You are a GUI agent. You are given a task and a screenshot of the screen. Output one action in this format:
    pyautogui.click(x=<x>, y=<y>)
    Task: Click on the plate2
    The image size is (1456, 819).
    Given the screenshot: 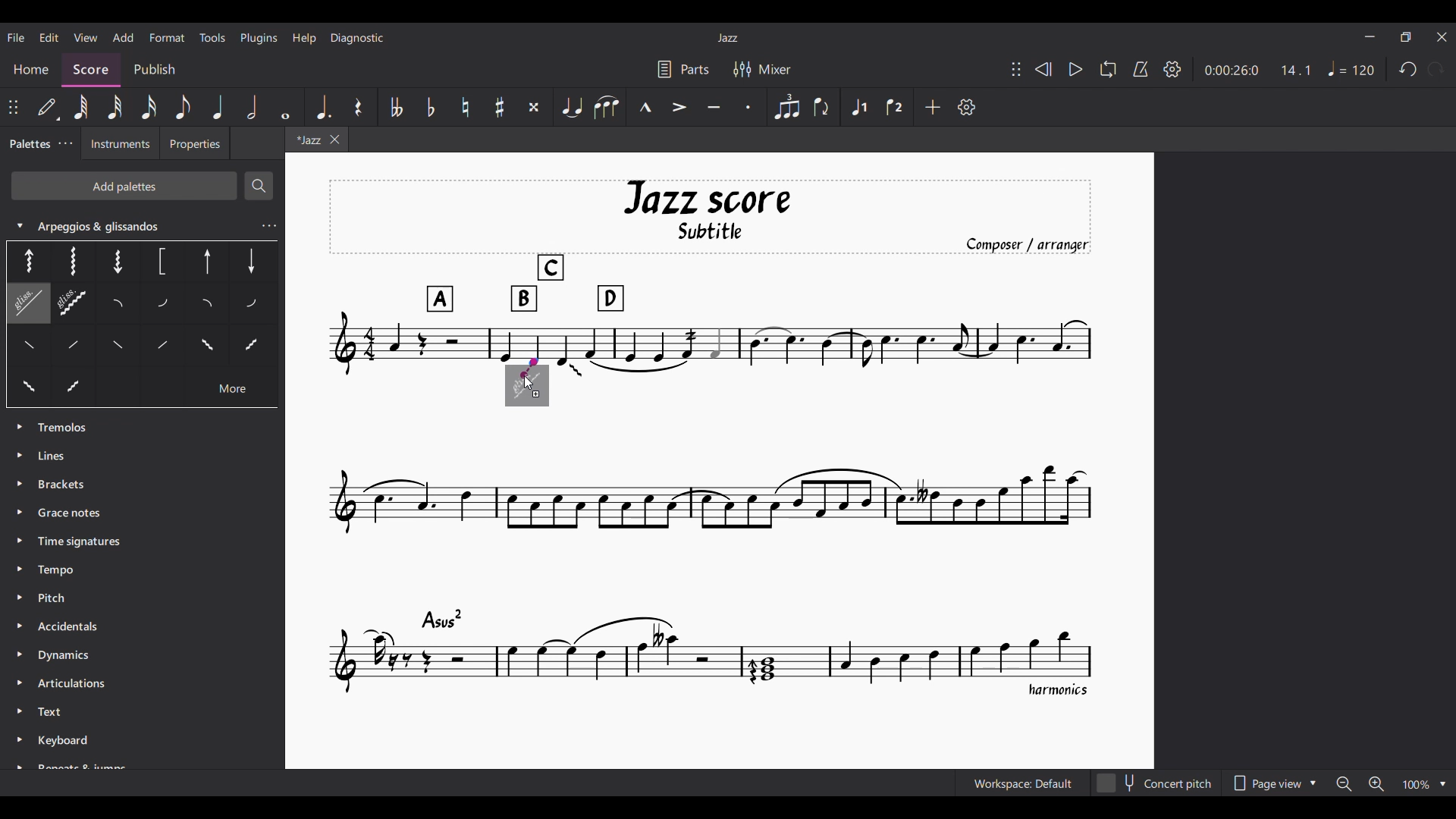 What is the action you would take?
    pyautogui.click(x=72, y=261)
    